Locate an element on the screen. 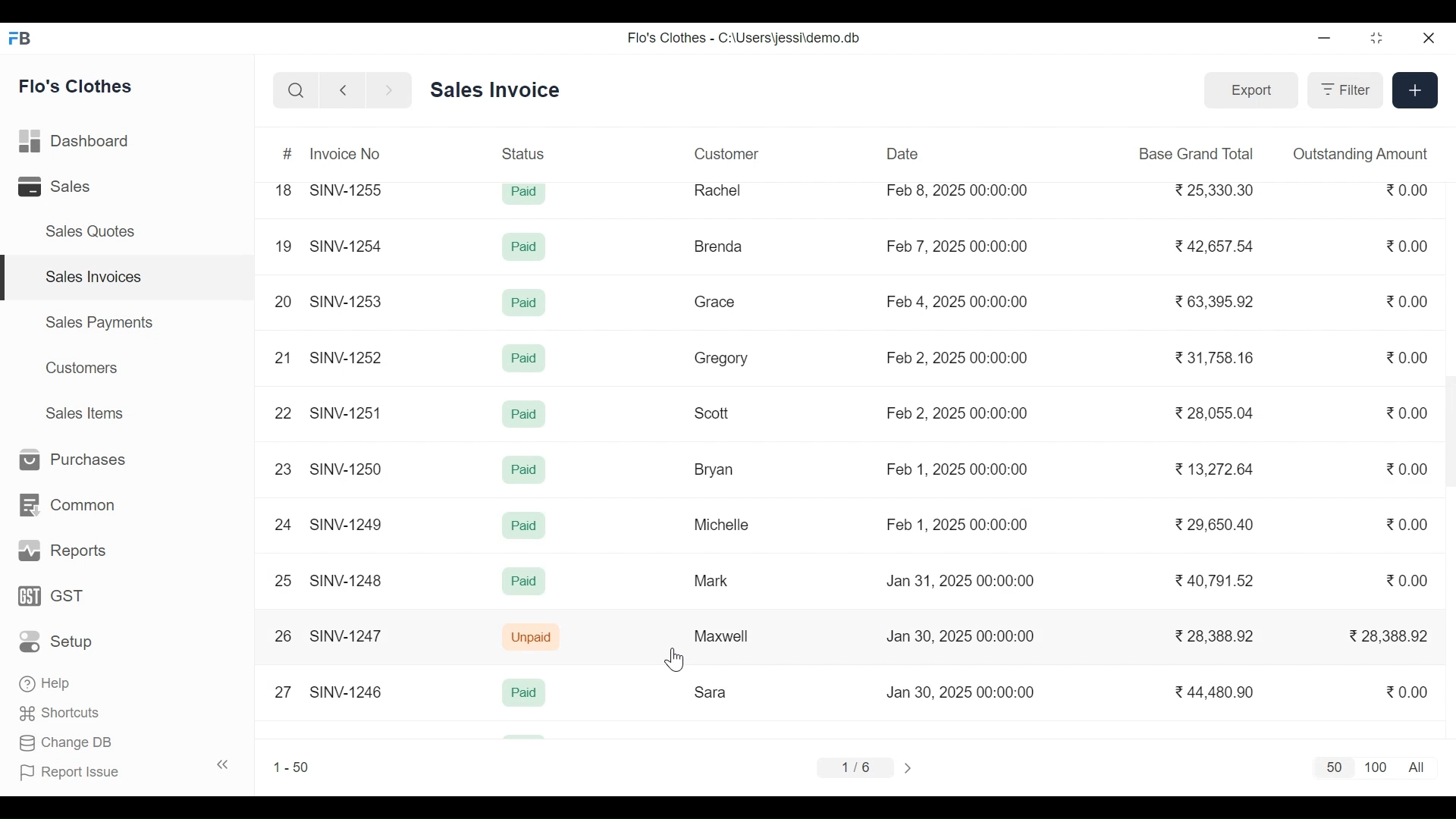  Dashboard is located at coordinates (76, 143).